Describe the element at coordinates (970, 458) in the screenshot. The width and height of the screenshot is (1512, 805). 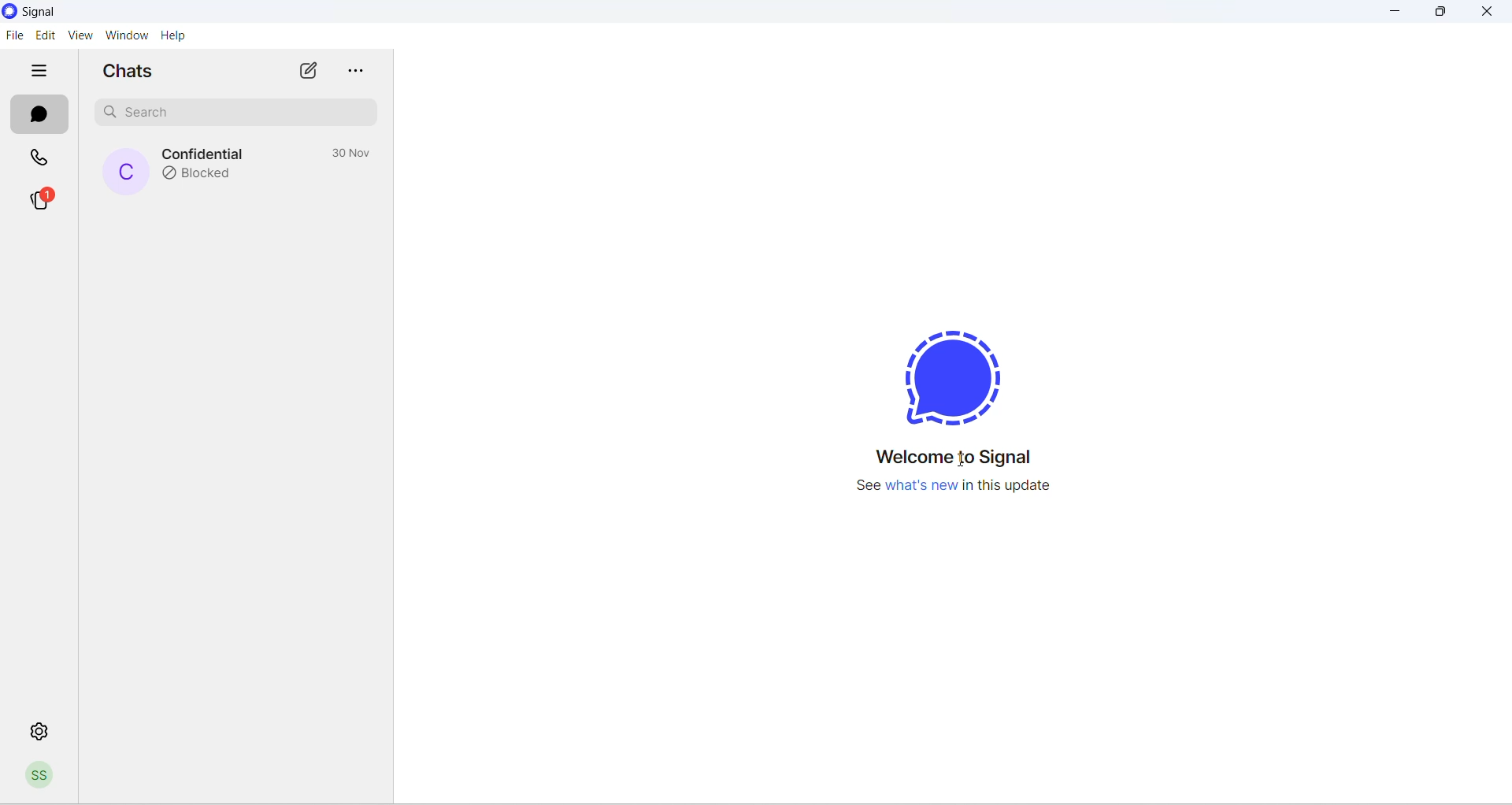
I see `welcome message` at that location.